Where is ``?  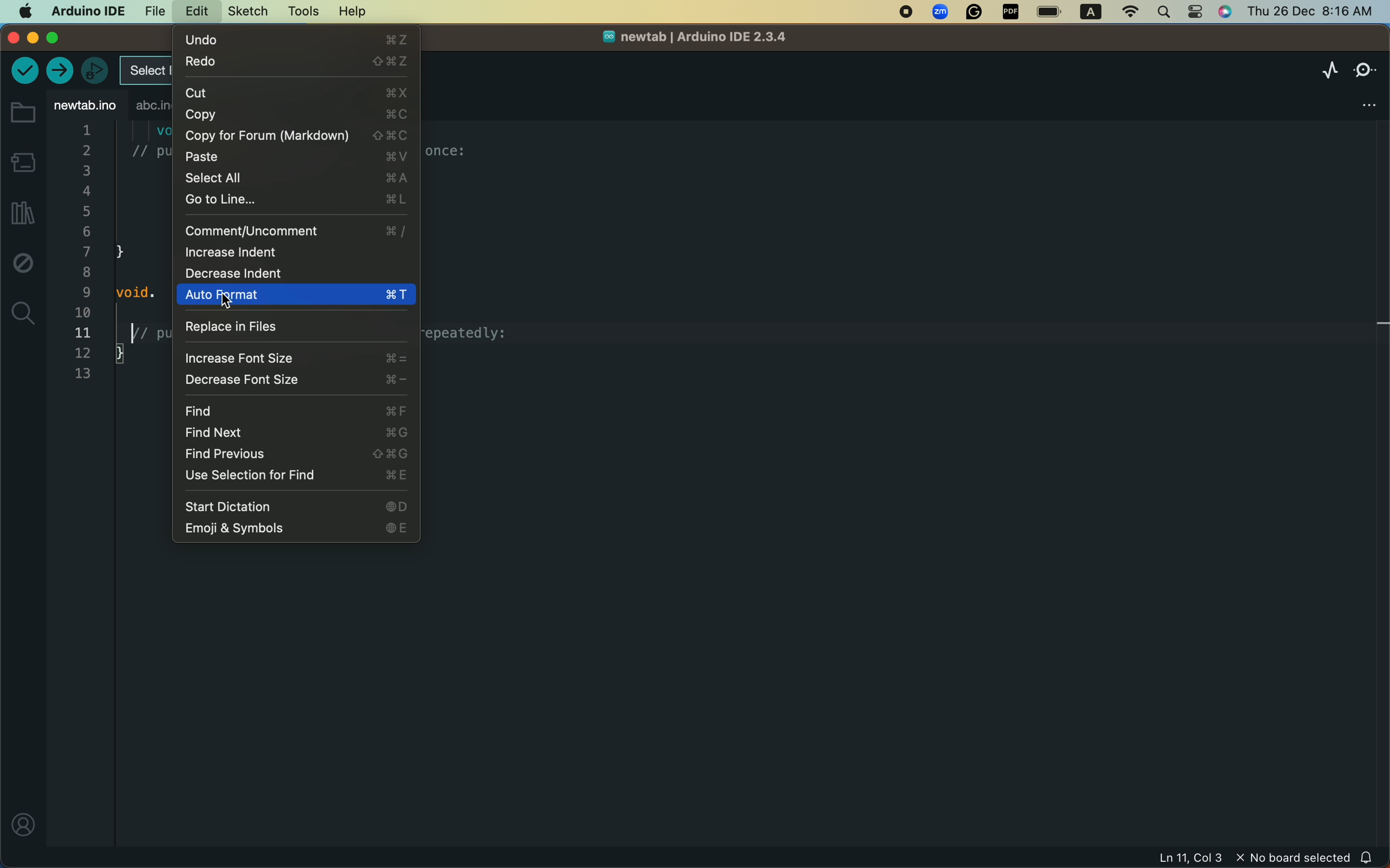  is located at coordinates (1011, 13).